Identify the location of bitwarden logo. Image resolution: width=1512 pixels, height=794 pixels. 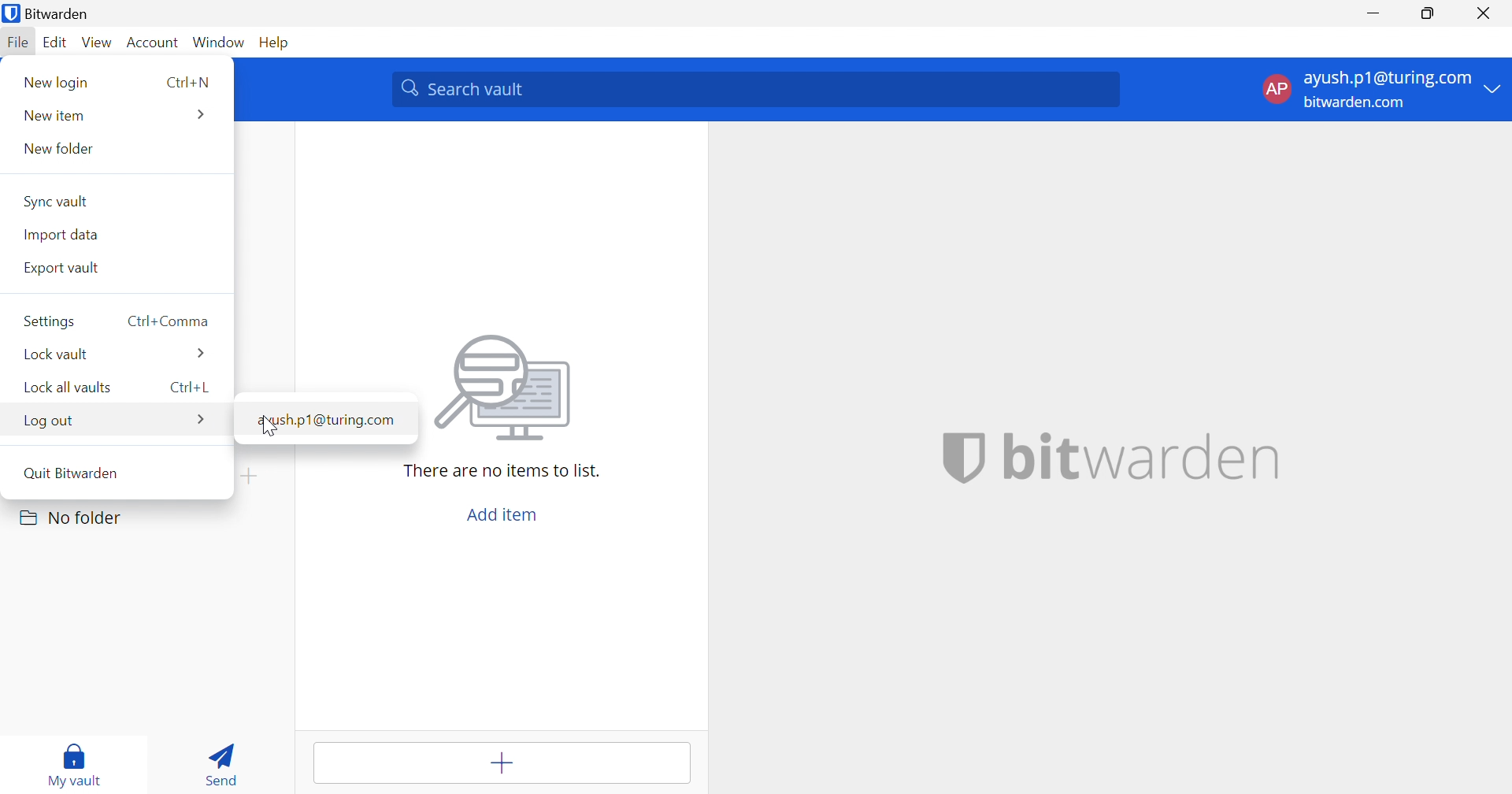
(963, 457).